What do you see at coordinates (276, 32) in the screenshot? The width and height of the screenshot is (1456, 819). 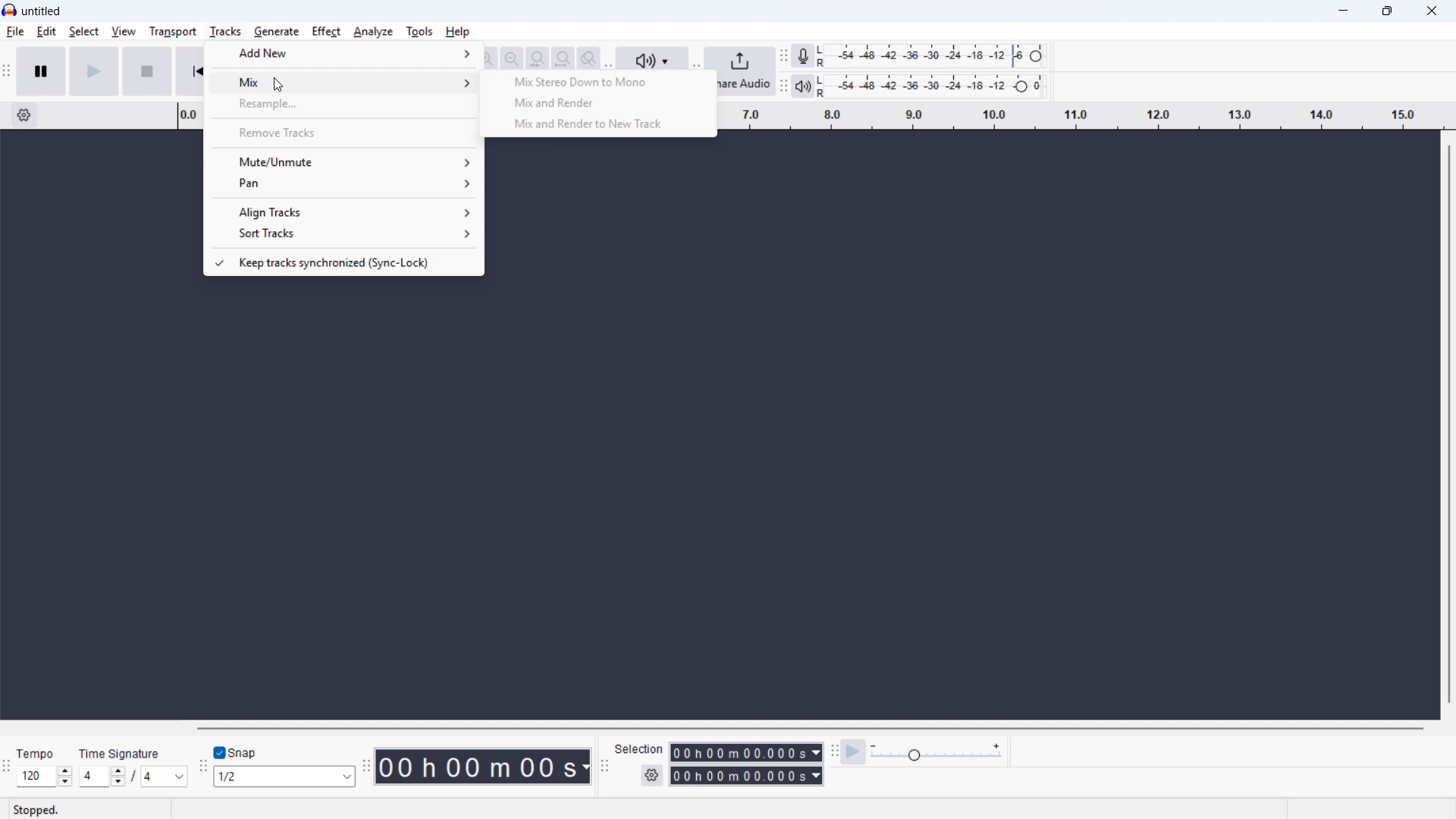 I see `Generate ` at bounding box center [276, 32].